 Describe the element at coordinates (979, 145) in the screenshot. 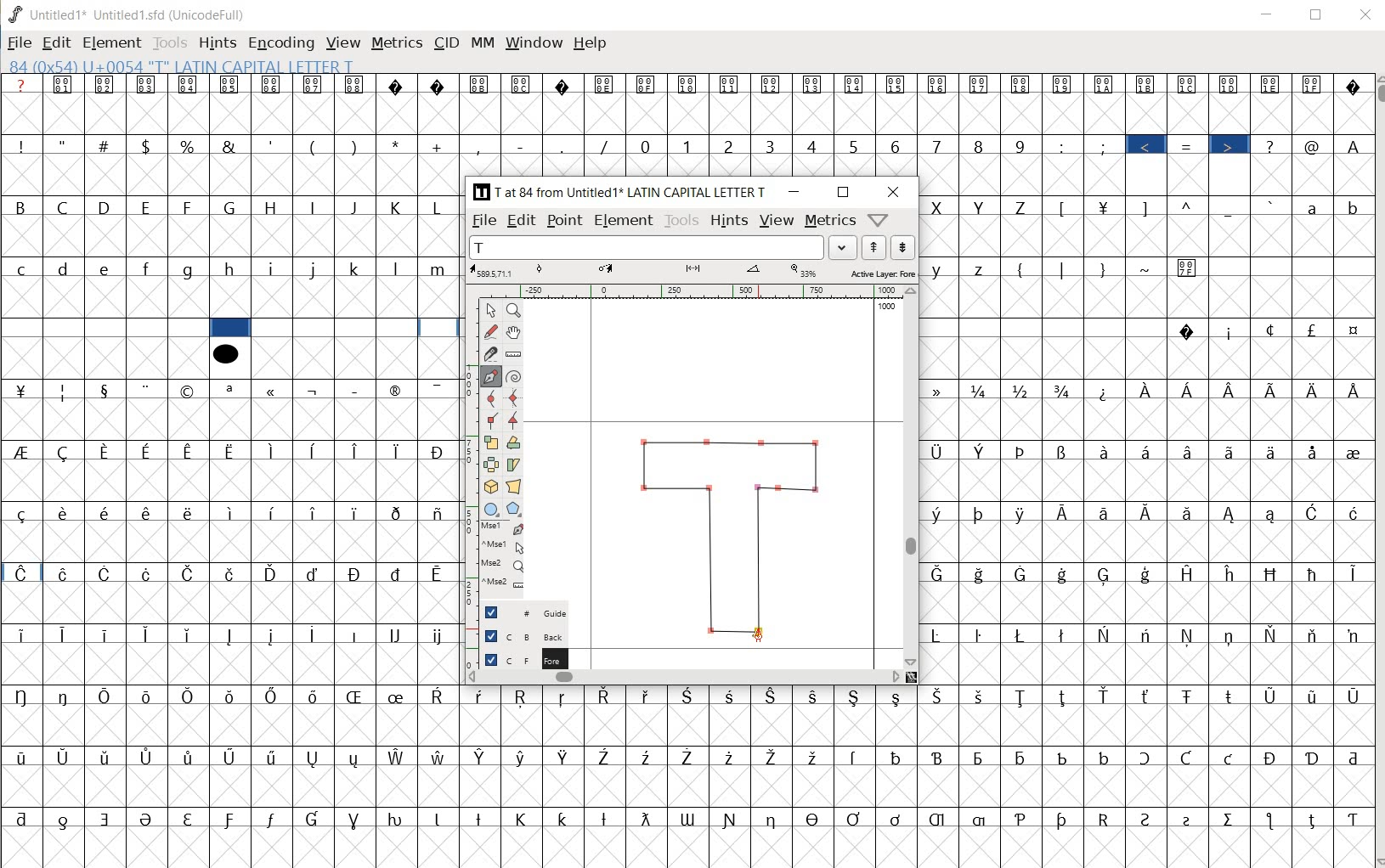

I see `8` at that location.